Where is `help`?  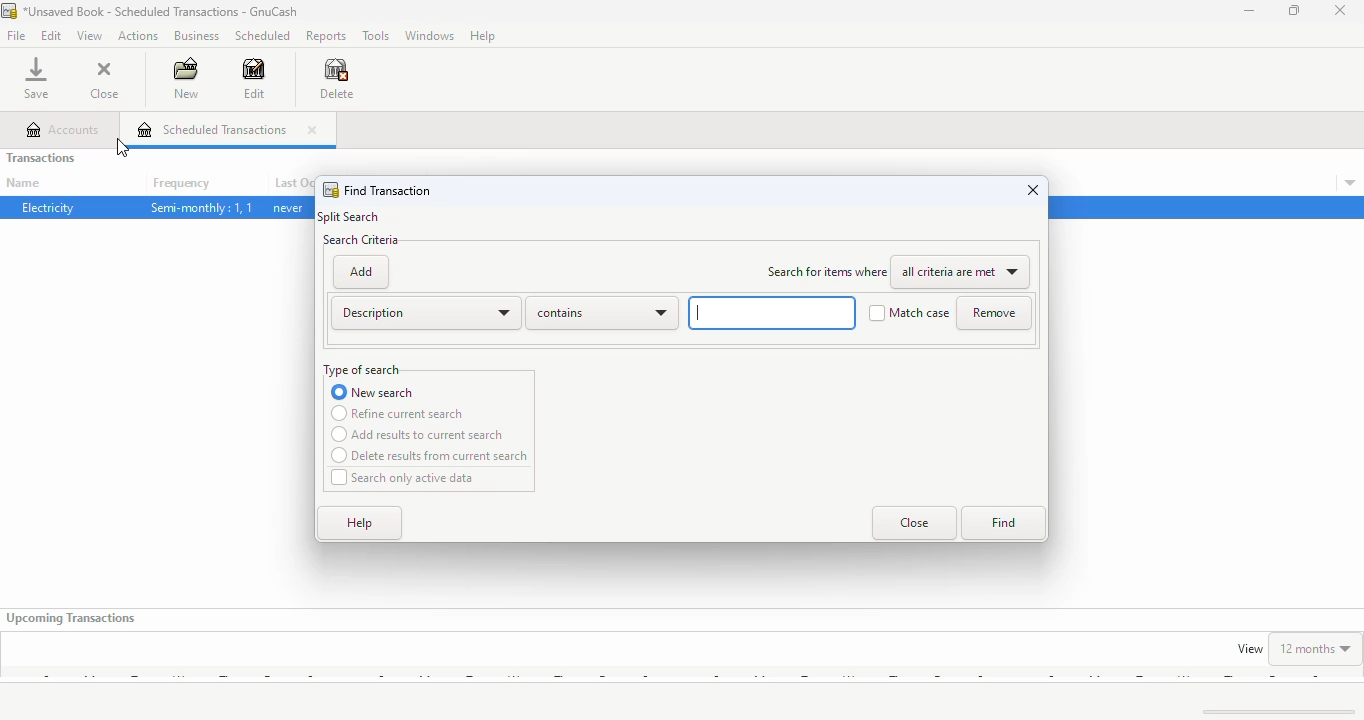
help is located at coordinates (361, 524).